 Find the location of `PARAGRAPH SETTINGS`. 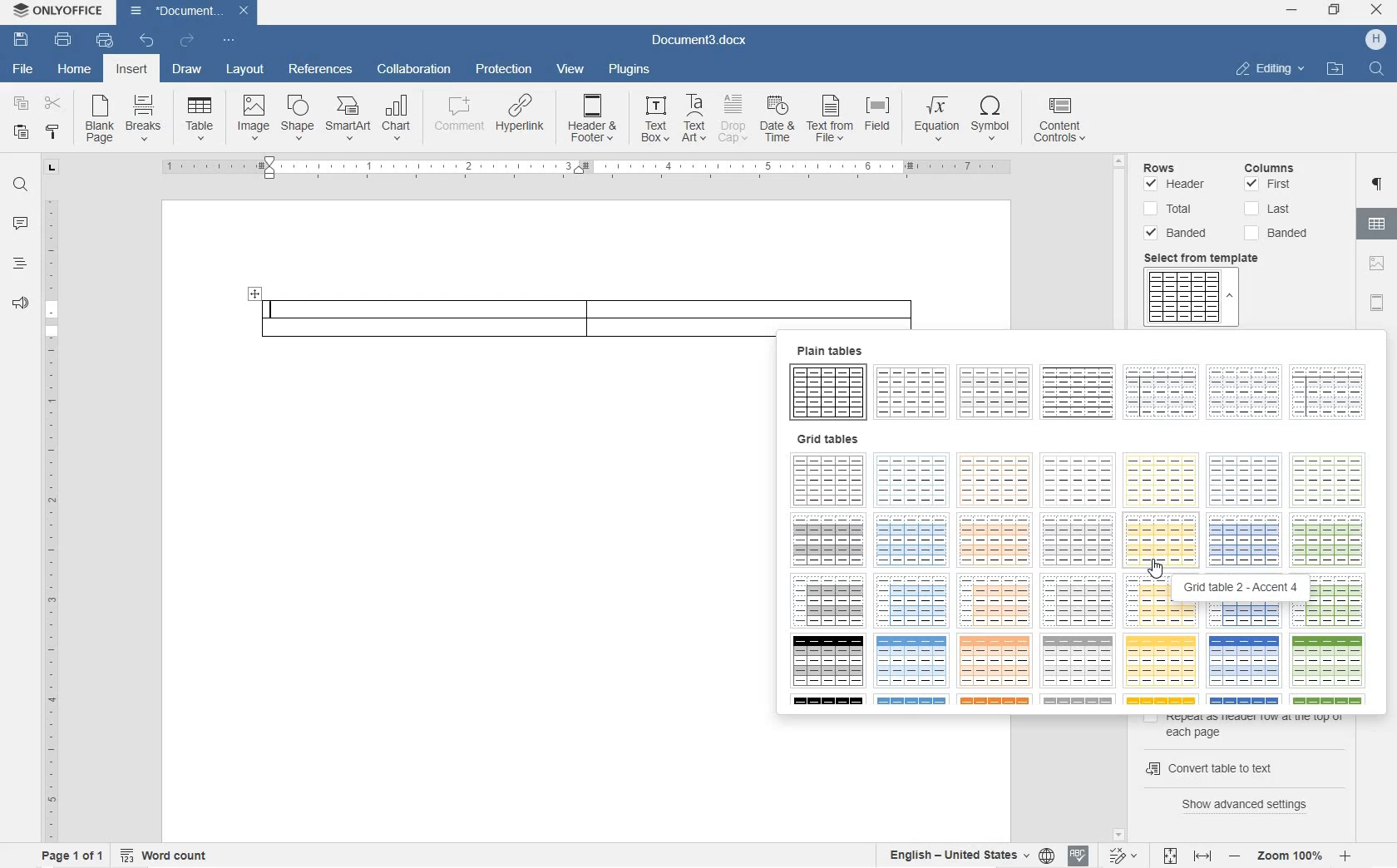

PARAGRAPH SETTINGS is located at coordinates (1380, 186).